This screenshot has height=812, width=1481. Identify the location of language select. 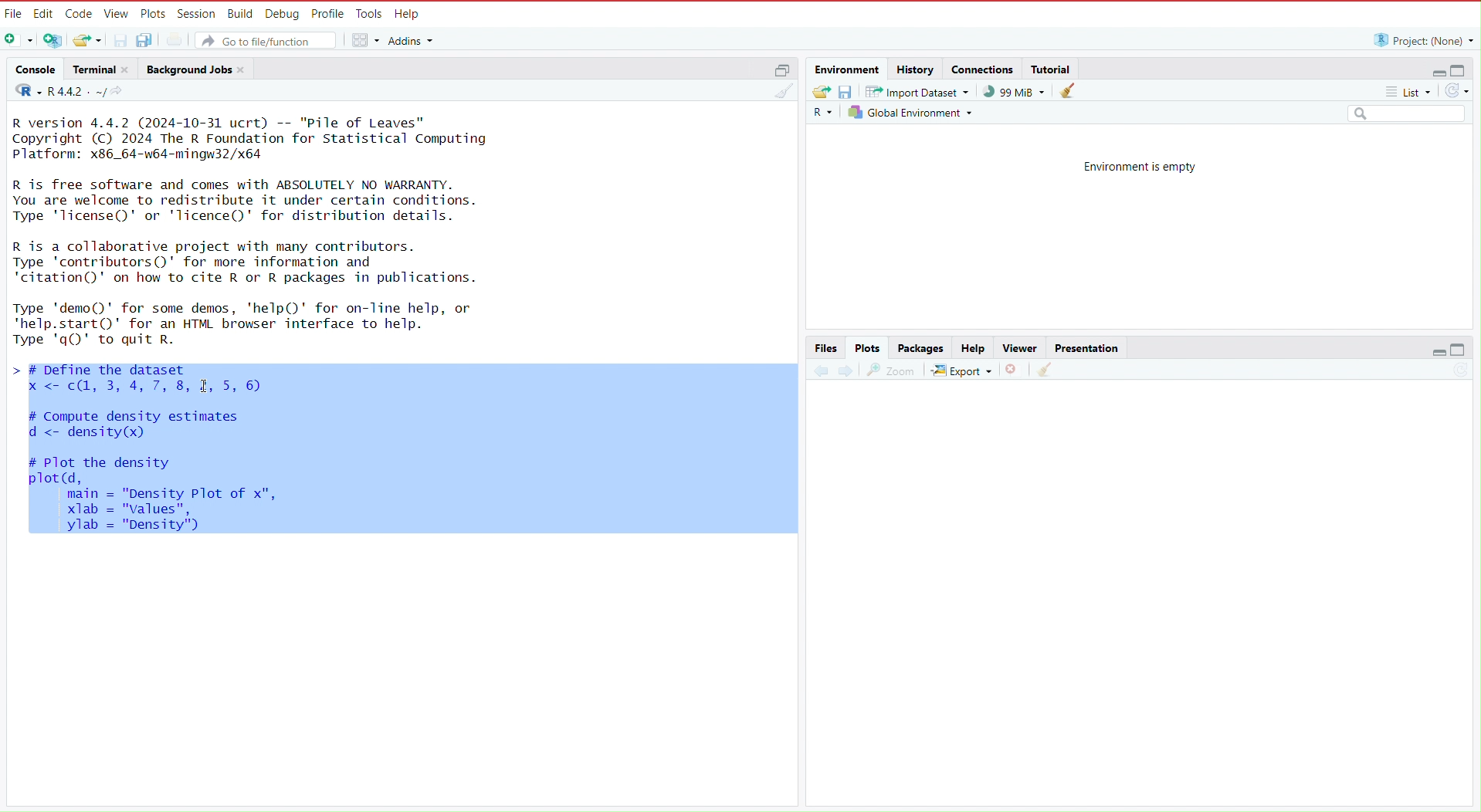
(822, 115).